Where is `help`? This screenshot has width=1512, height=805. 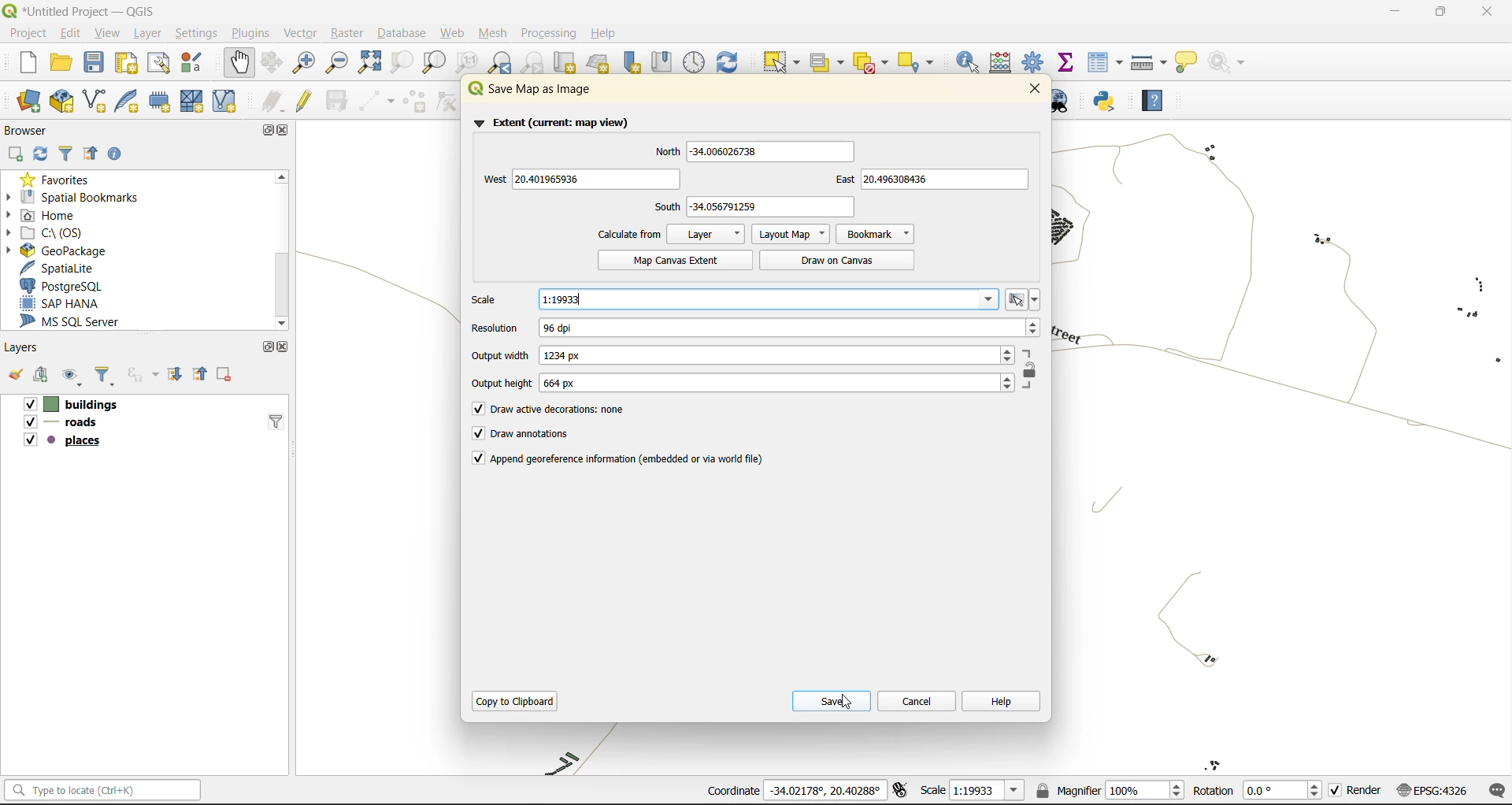 help is located at coordinates (1002, 699).